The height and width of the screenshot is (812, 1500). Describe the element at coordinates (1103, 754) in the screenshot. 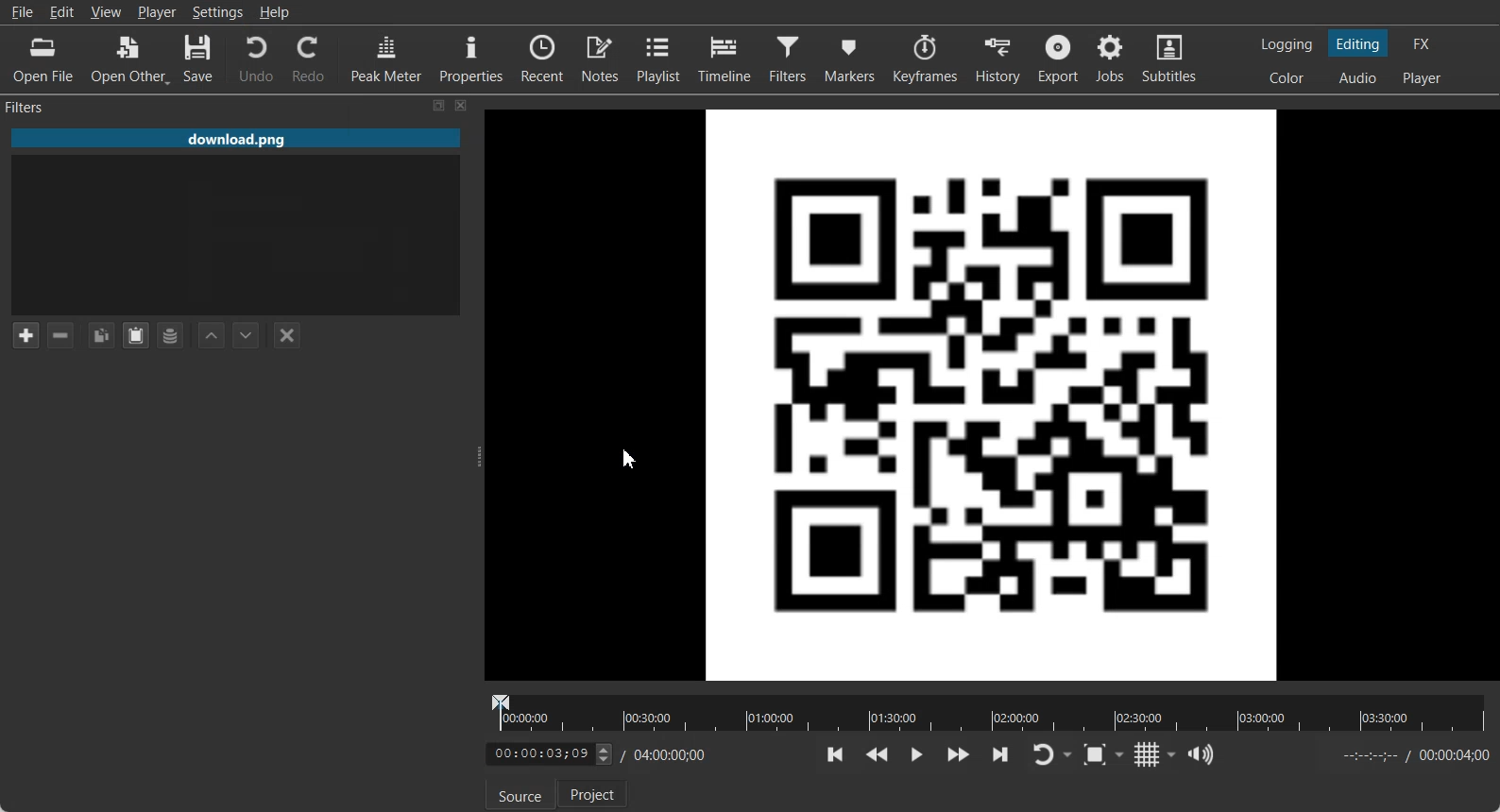

I see `Toggle zoom` at that location.